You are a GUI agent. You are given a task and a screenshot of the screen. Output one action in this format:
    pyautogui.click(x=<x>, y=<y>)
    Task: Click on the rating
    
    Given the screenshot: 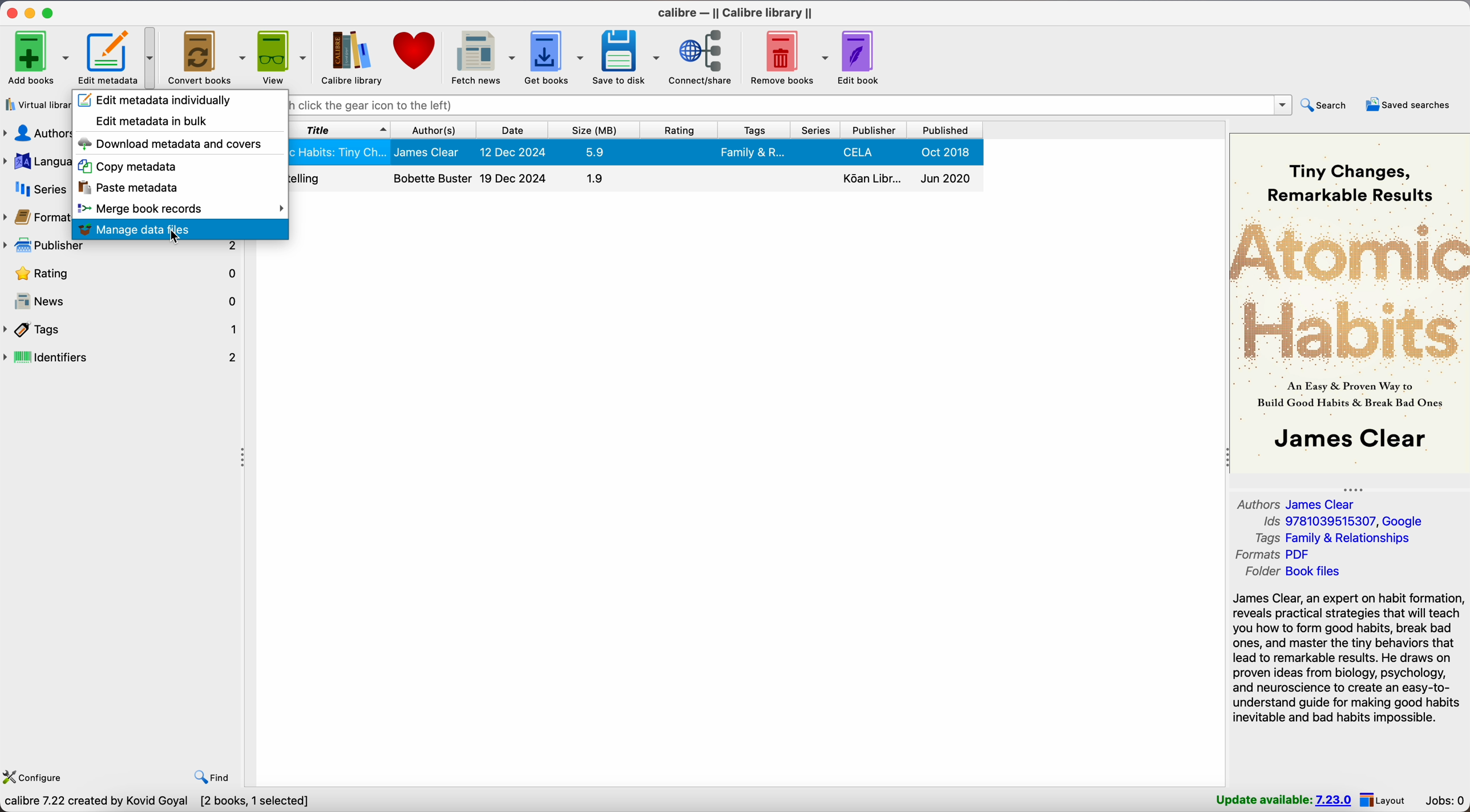 What is the action you would take?
    pyautogui.click(x=679, y=130)
    